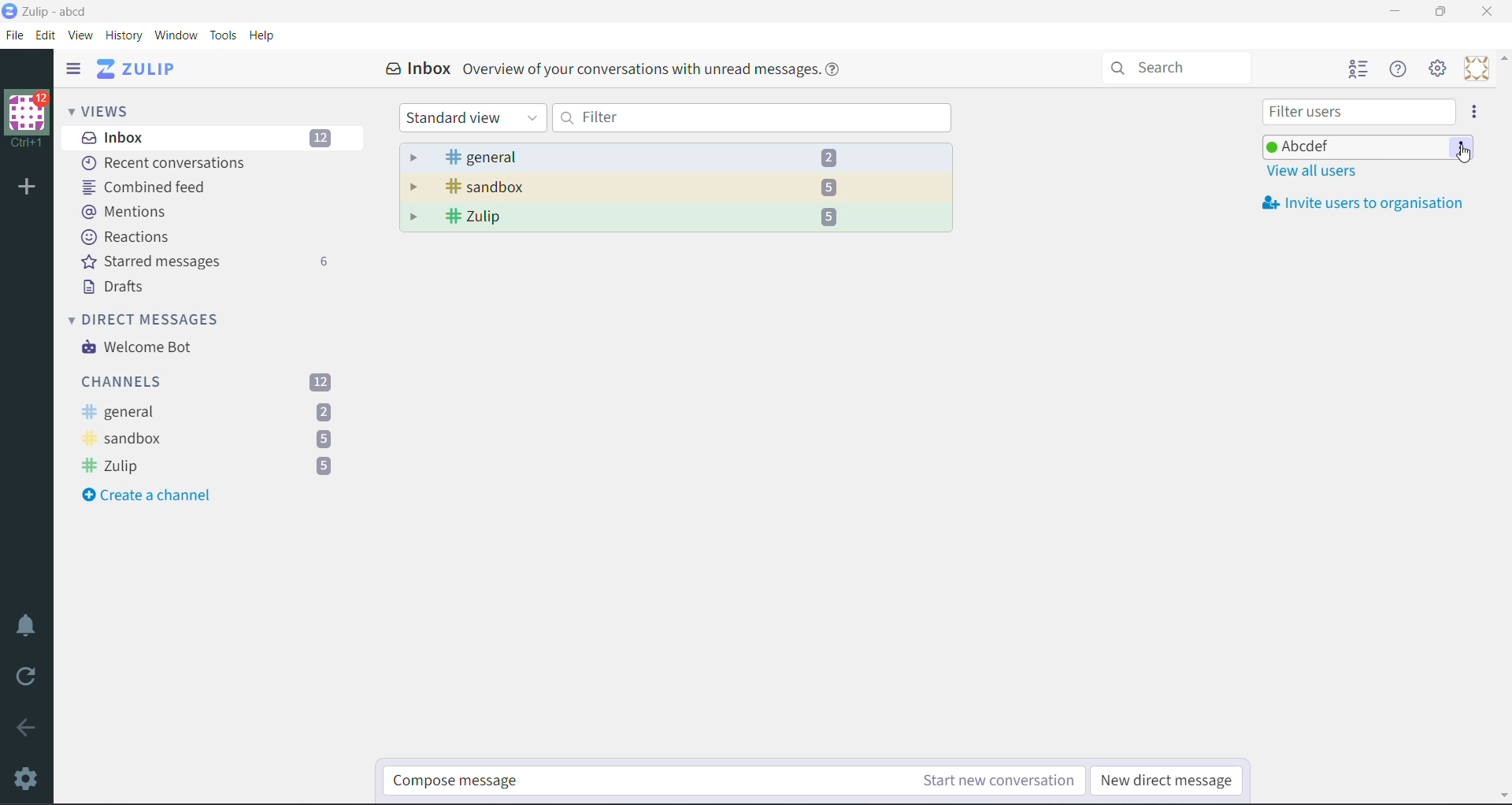 This screenshot has width=1512, height=805. I want to click on Filter users, so click(1358, 112).